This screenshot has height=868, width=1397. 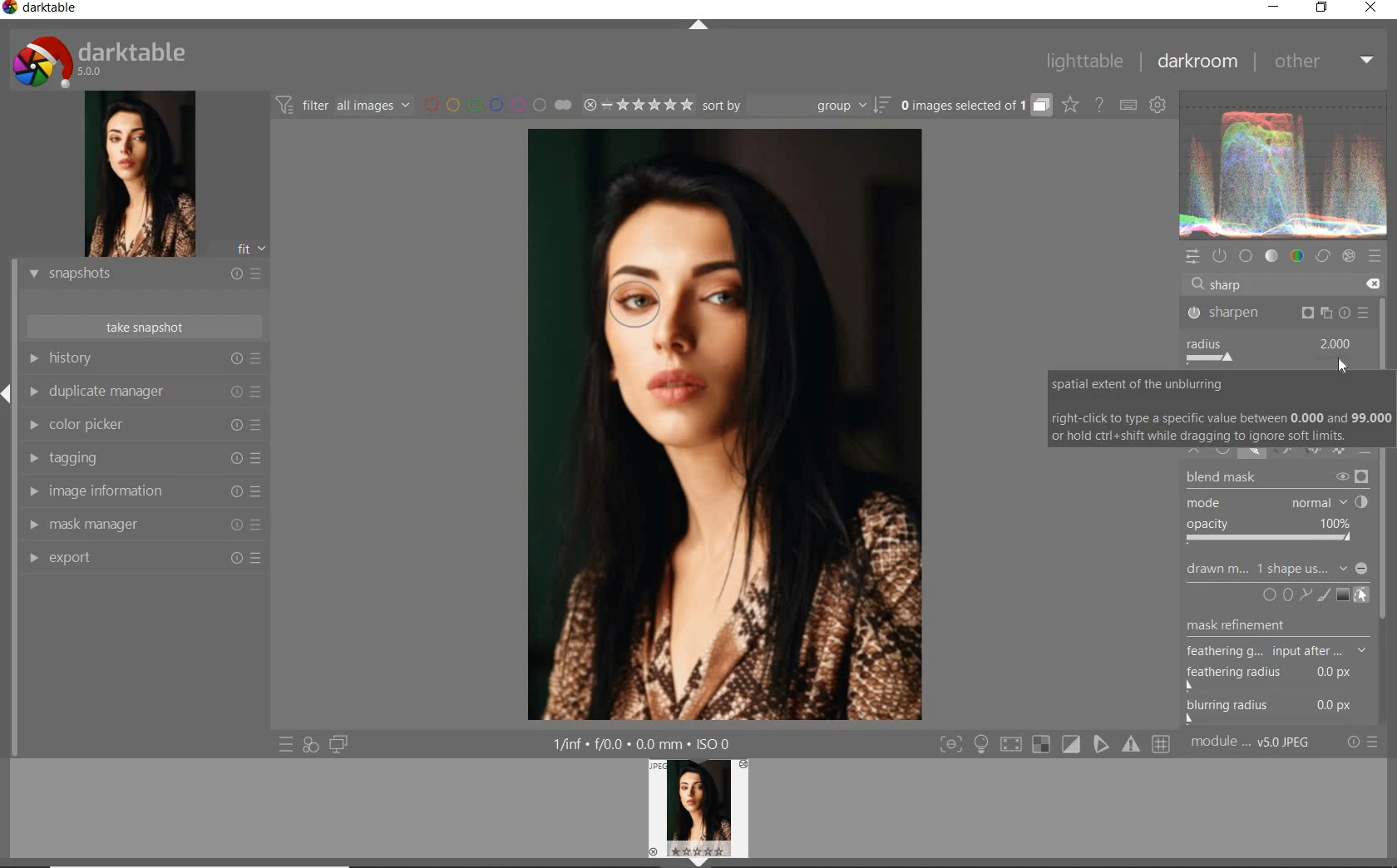 I want to click on Toggle modes, so click(x=1054, y=744).